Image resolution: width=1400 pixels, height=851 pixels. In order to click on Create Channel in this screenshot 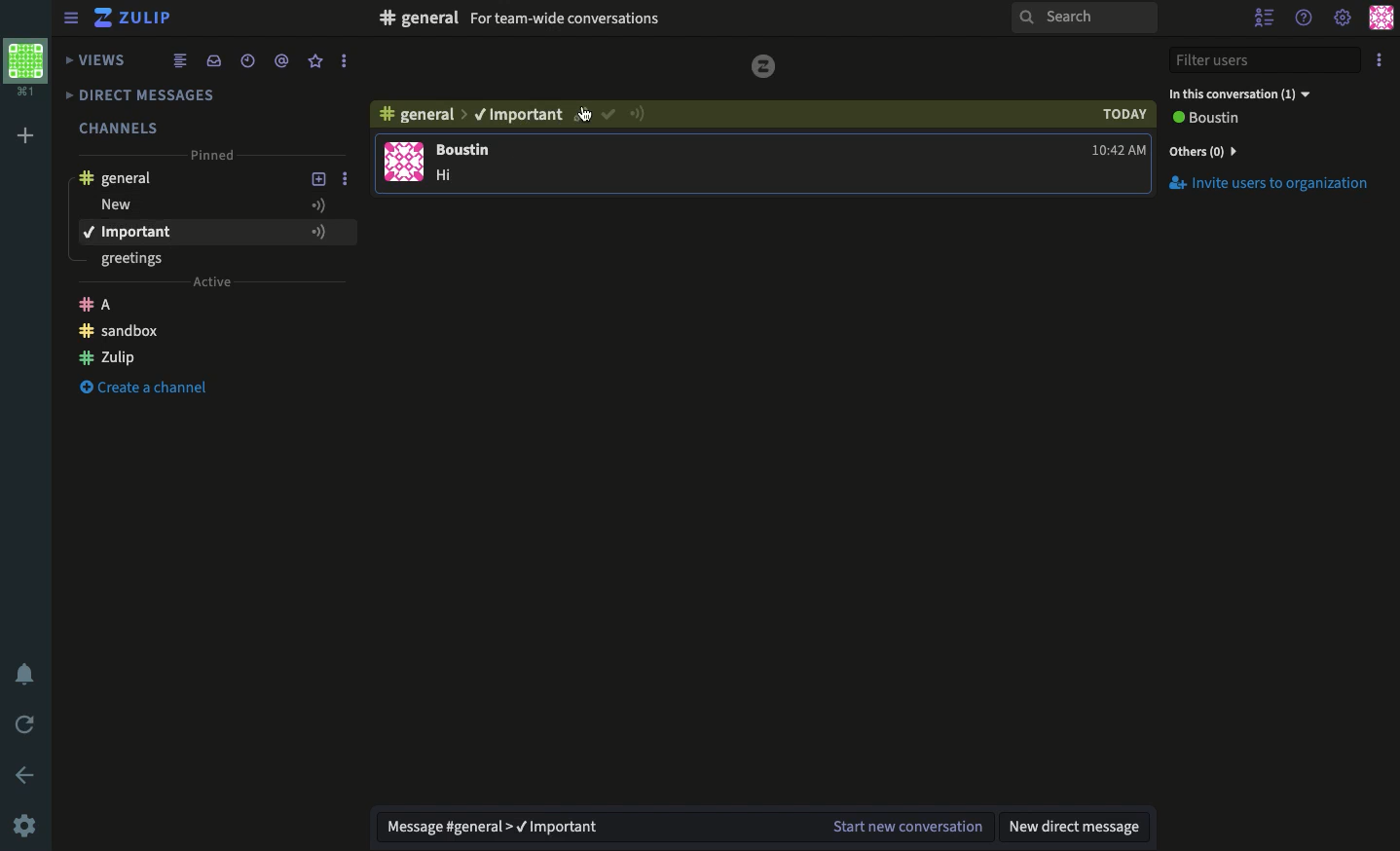, I will do `click(159, 392)`.